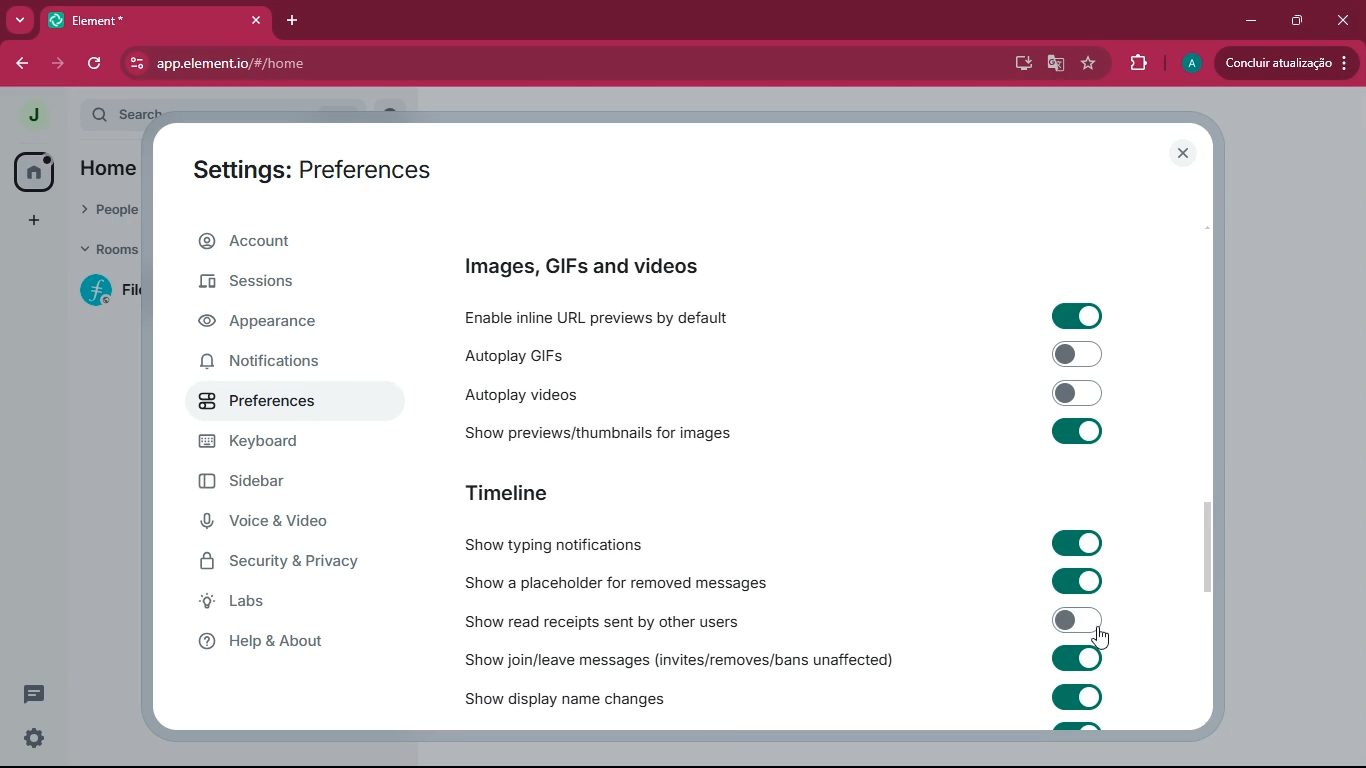 The image size is (1366, 768). Describe the element at coordinates (293, 21) in the screenshot. I see `add tab` at that location.